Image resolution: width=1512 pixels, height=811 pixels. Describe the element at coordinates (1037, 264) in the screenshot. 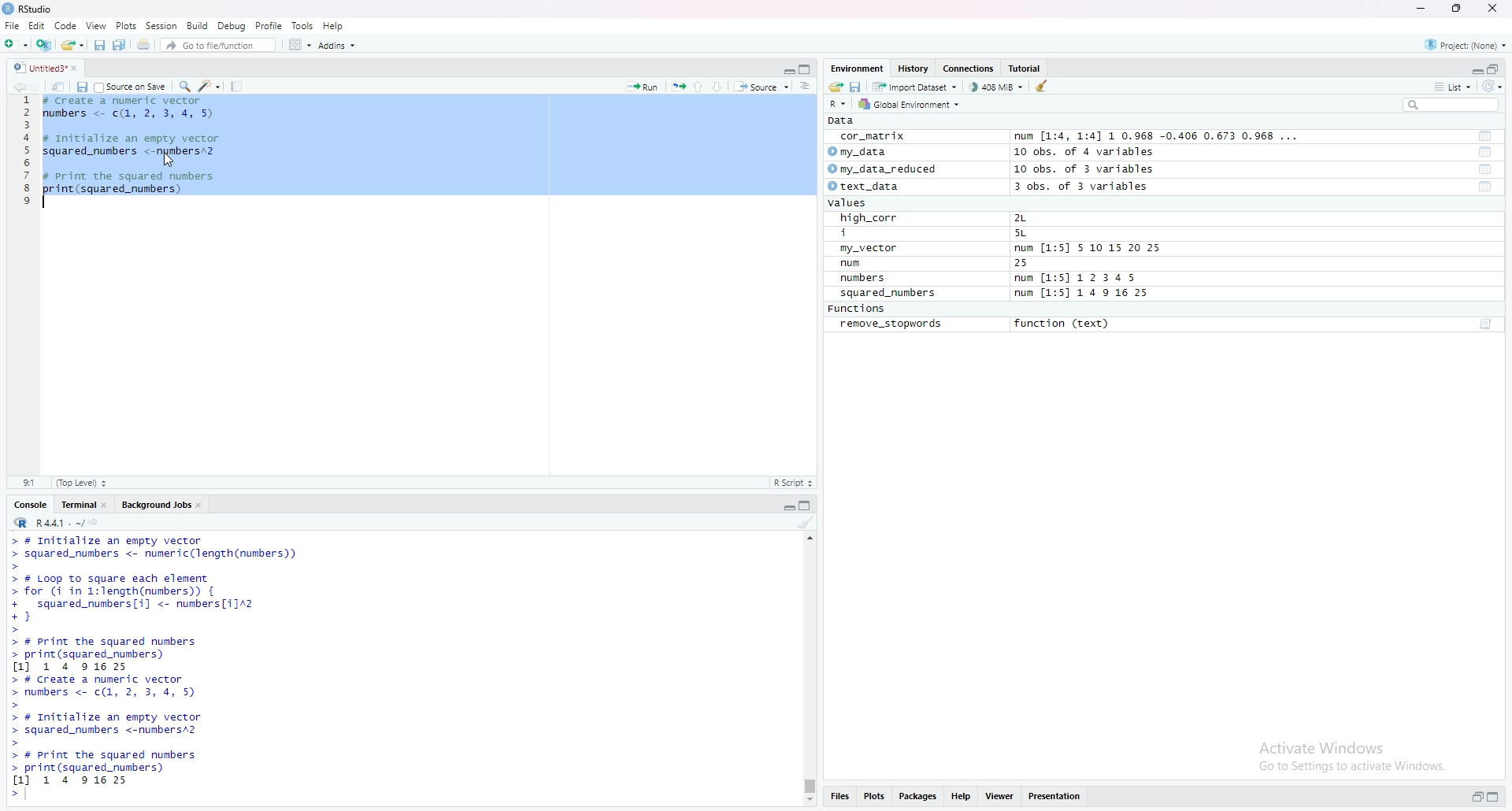

I see `25` at that location.